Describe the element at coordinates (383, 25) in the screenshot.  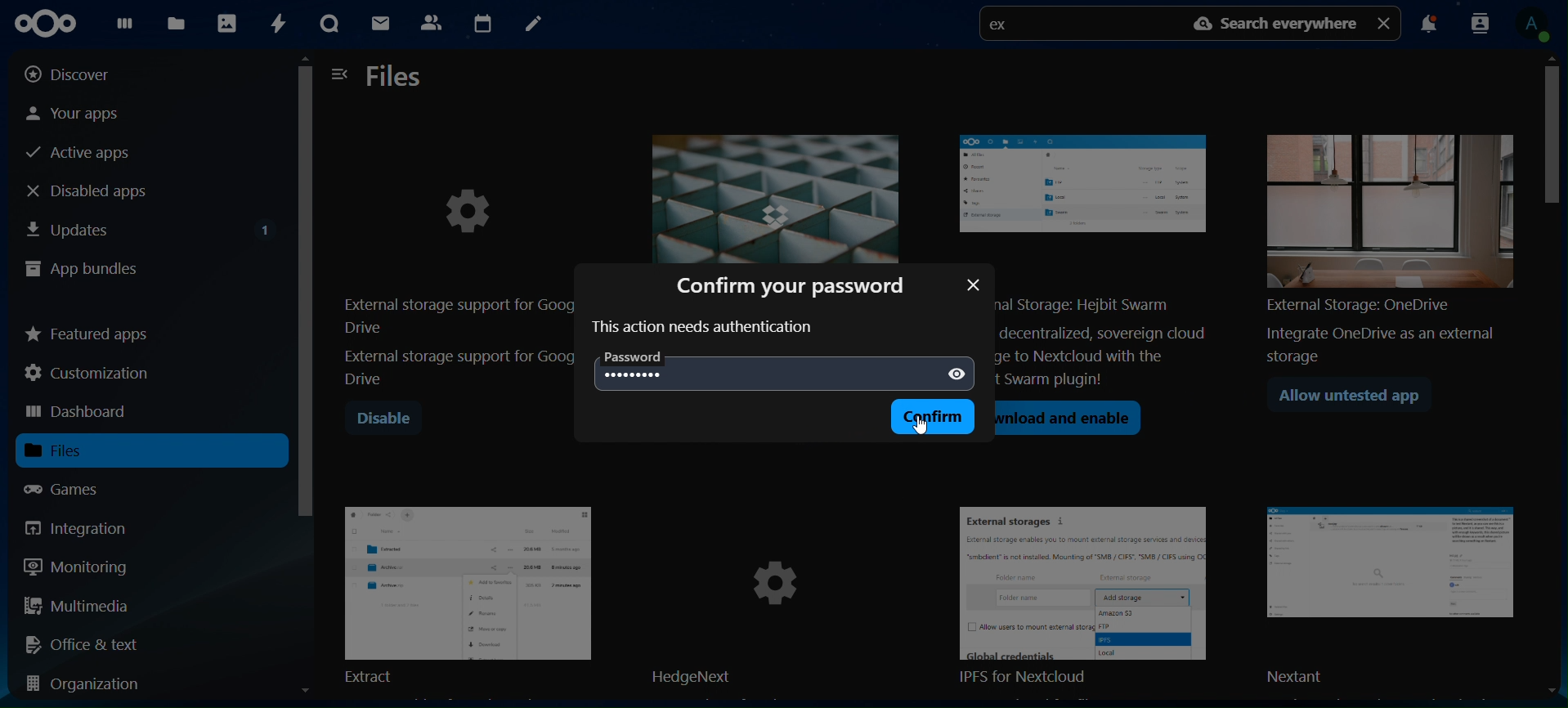
I see `mail` at that location.